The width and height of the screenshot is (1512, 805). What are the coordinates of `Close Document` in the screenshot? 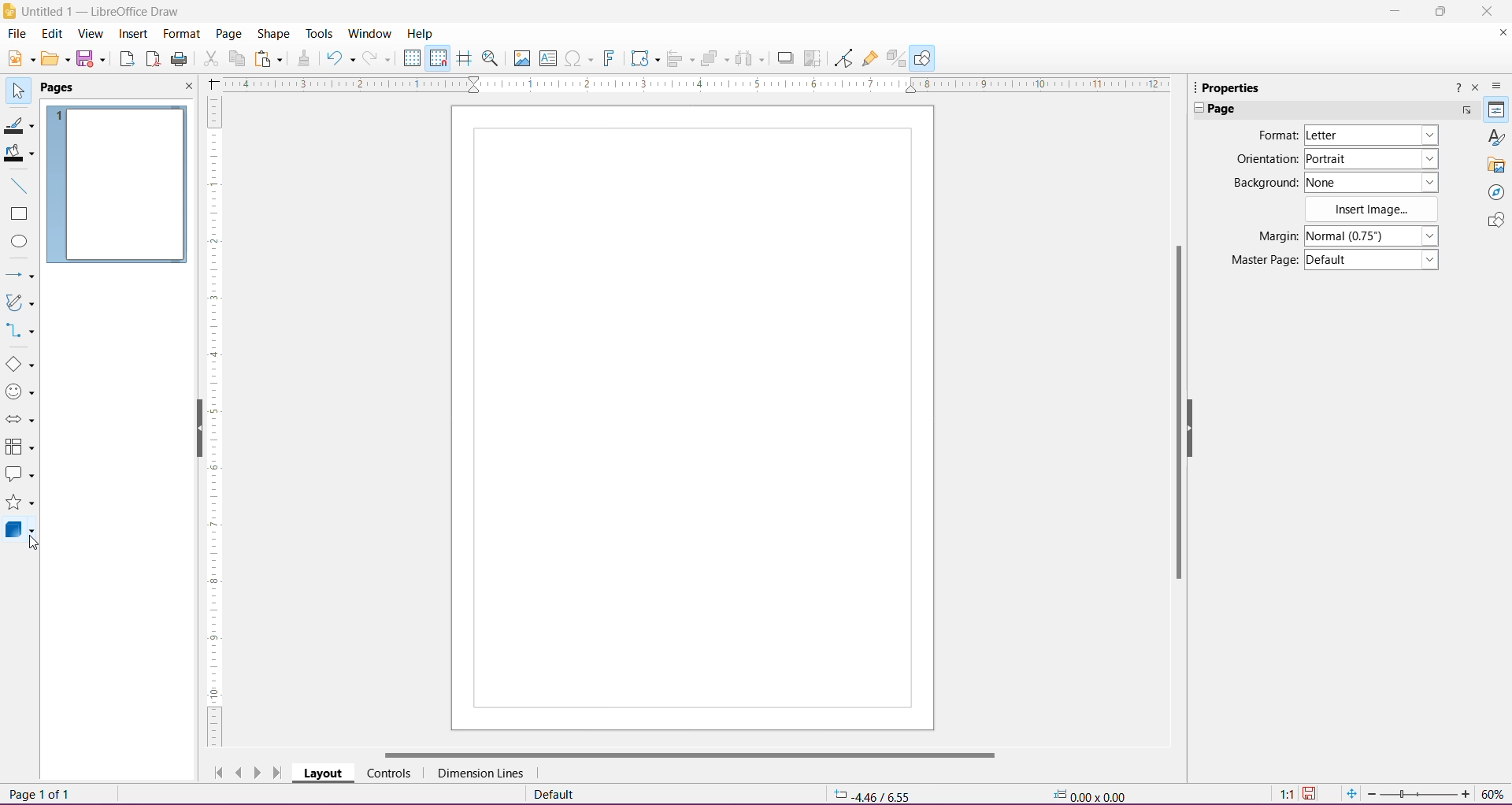 It's located at (1499, 35).